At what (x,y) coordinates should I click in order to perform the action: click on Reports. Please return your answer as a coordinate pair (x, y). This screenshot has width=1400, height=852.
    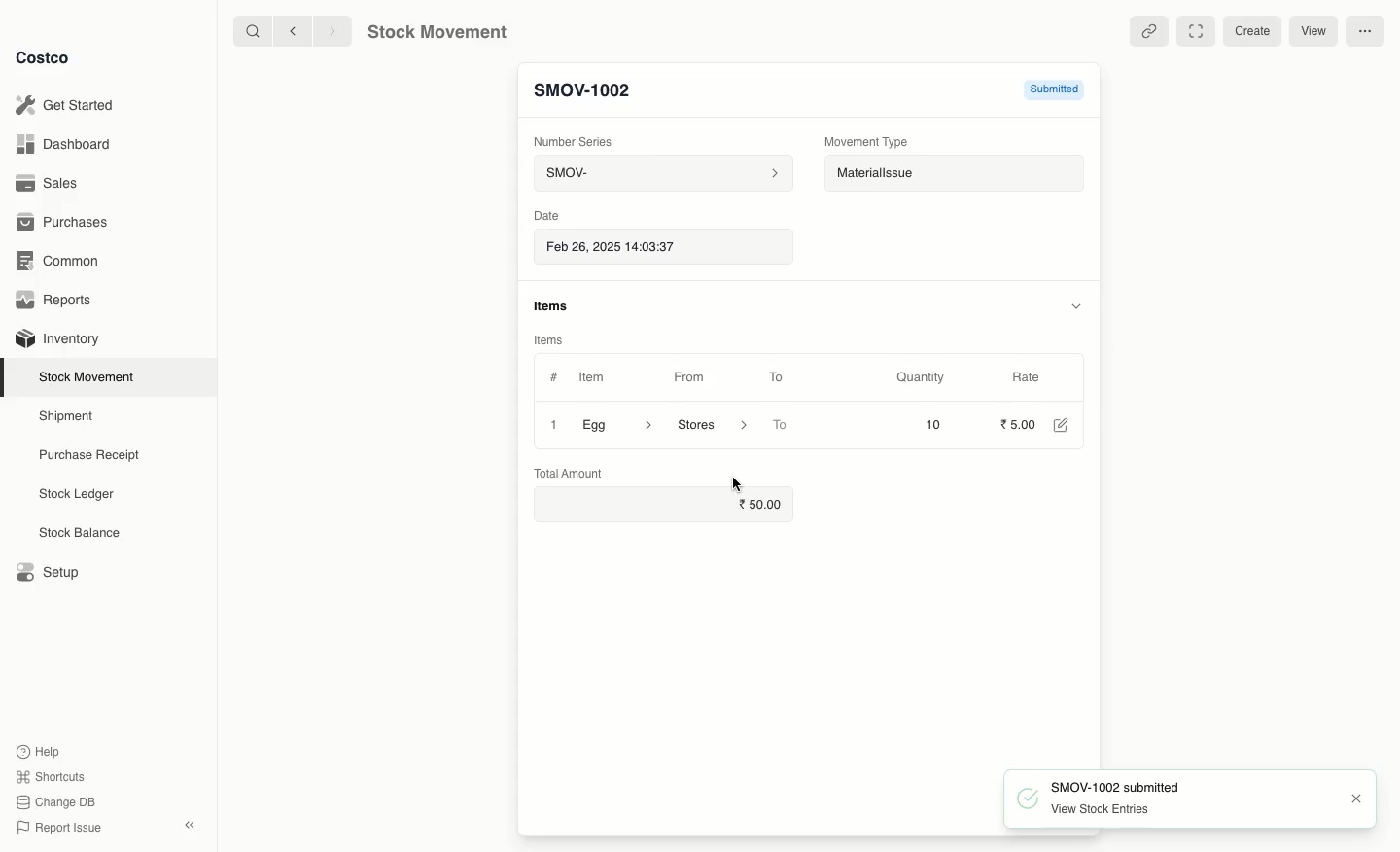
    Looking at the image, I should click on (58, 300).